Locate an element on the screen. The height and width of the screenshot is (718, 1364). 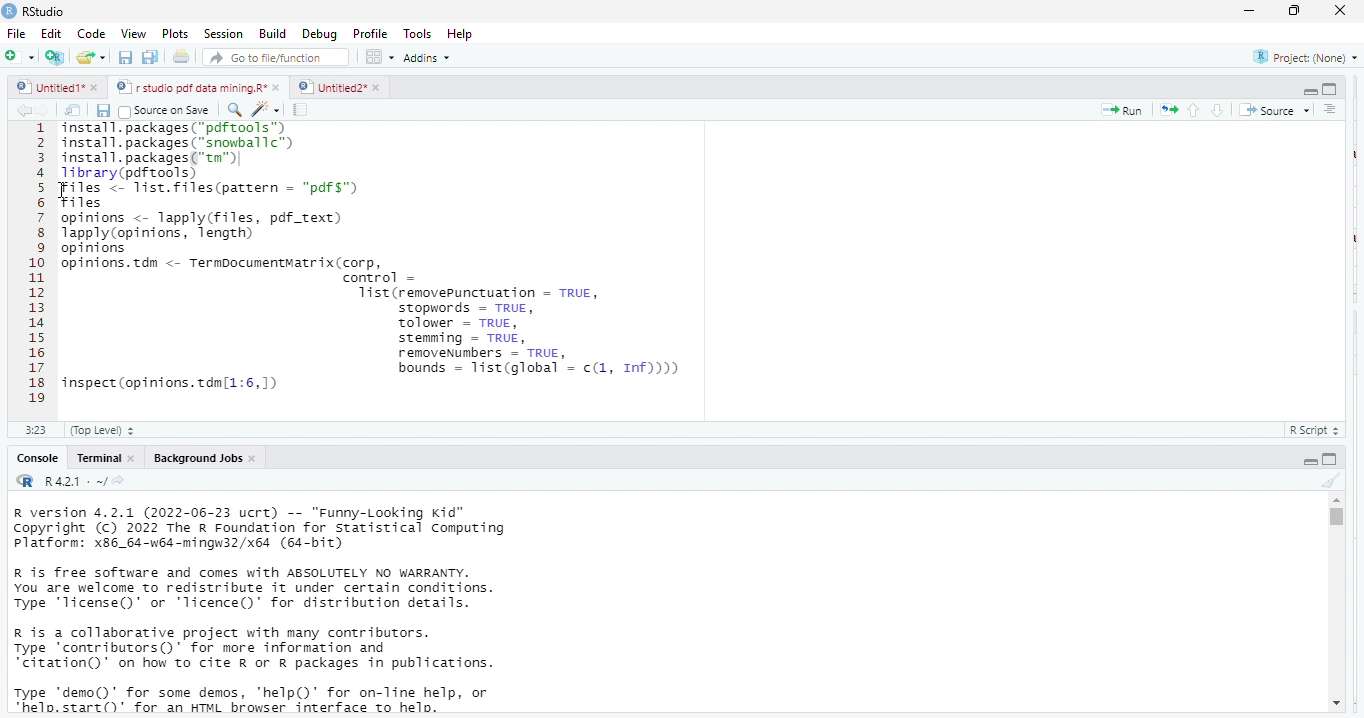
show document outline is located at coordinates (1332, 110).